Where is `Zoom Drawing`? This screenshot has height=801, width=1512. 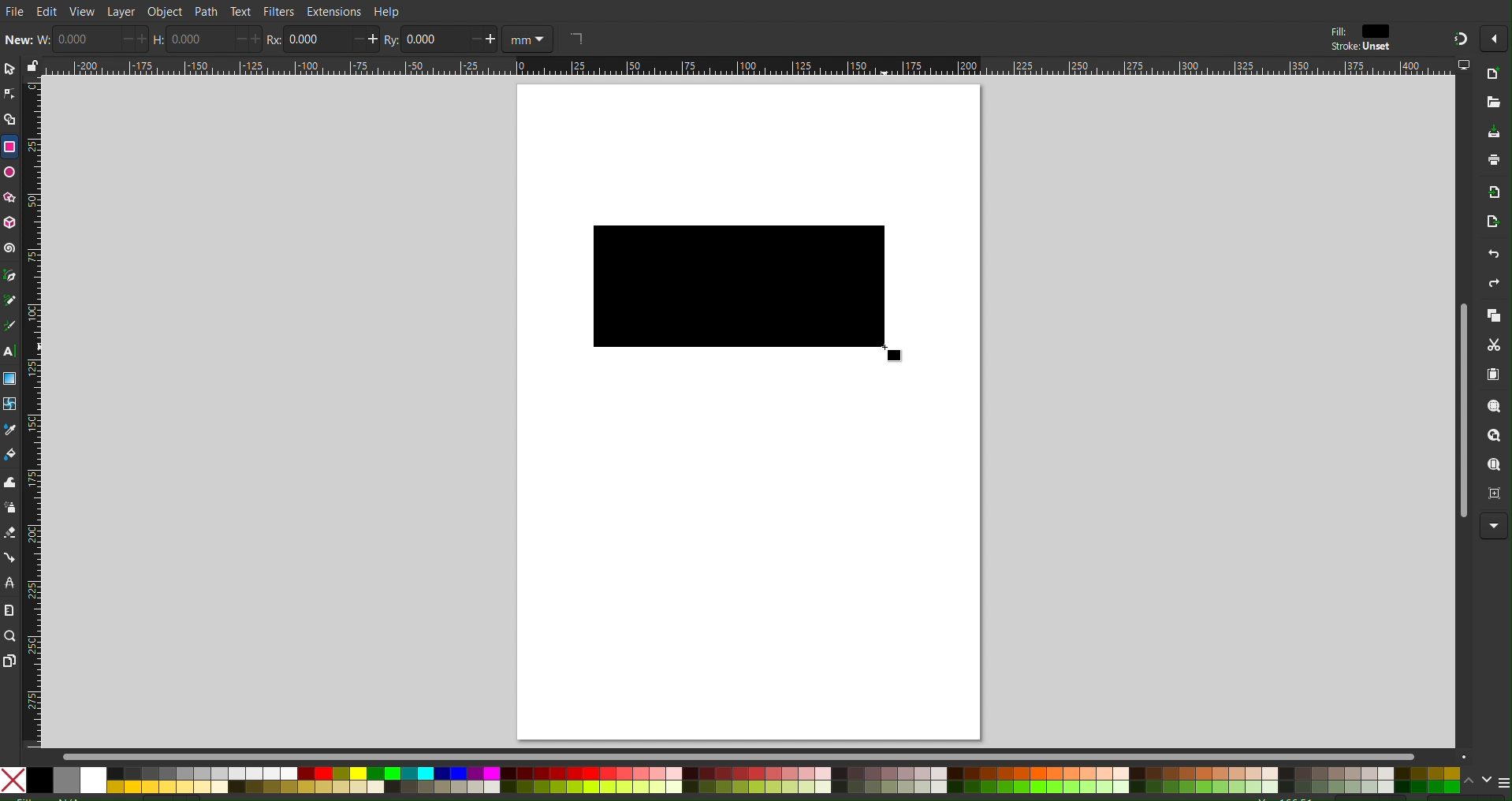 Zoom Drawing is located at coordinates (1496, 438).